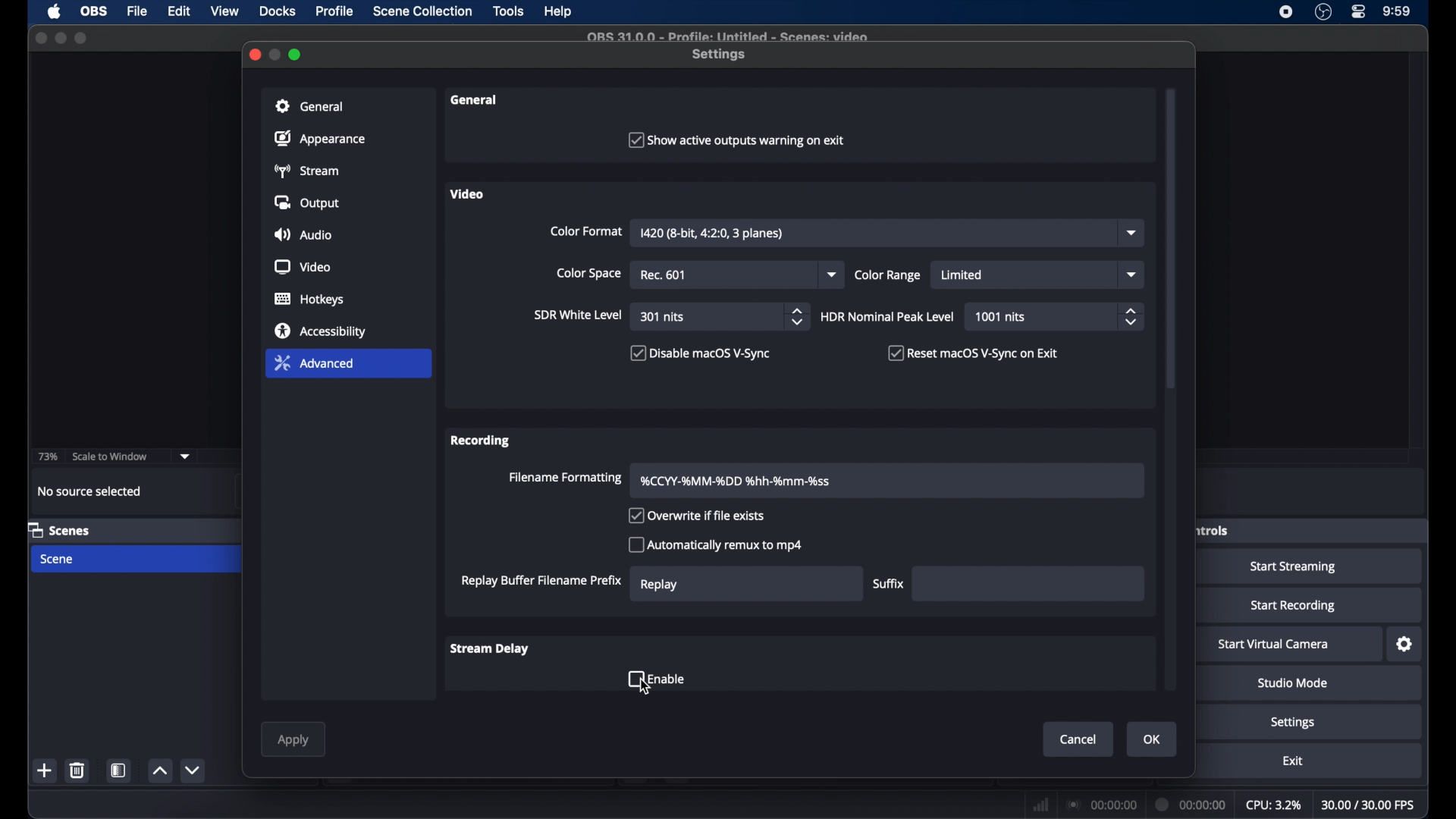  Describe the element at coordinates (77, 770) in the screenshot. I see `delete` at that location.